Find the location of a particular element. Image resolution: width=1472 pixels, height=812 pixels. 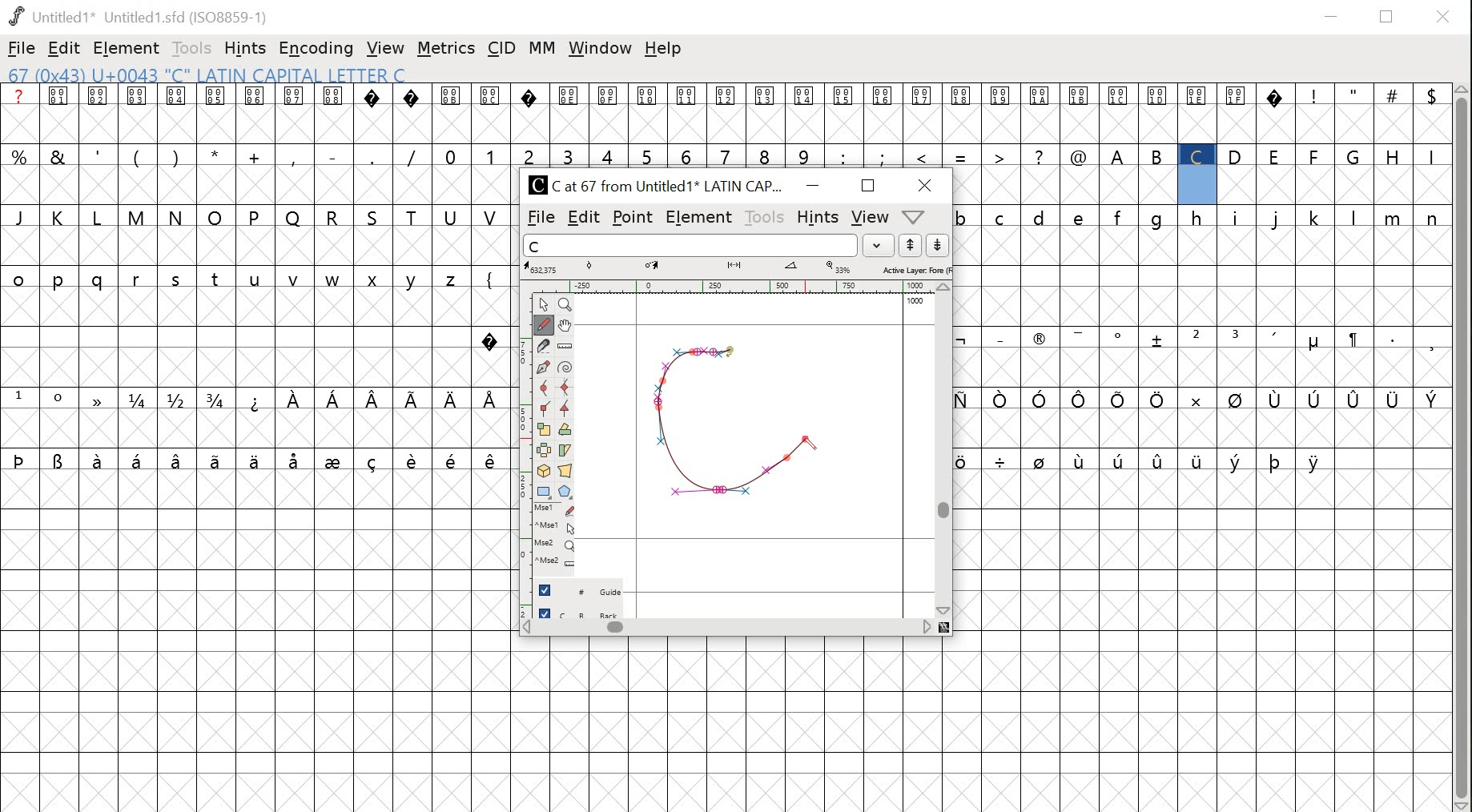

file is located at coordinates (21, 48).